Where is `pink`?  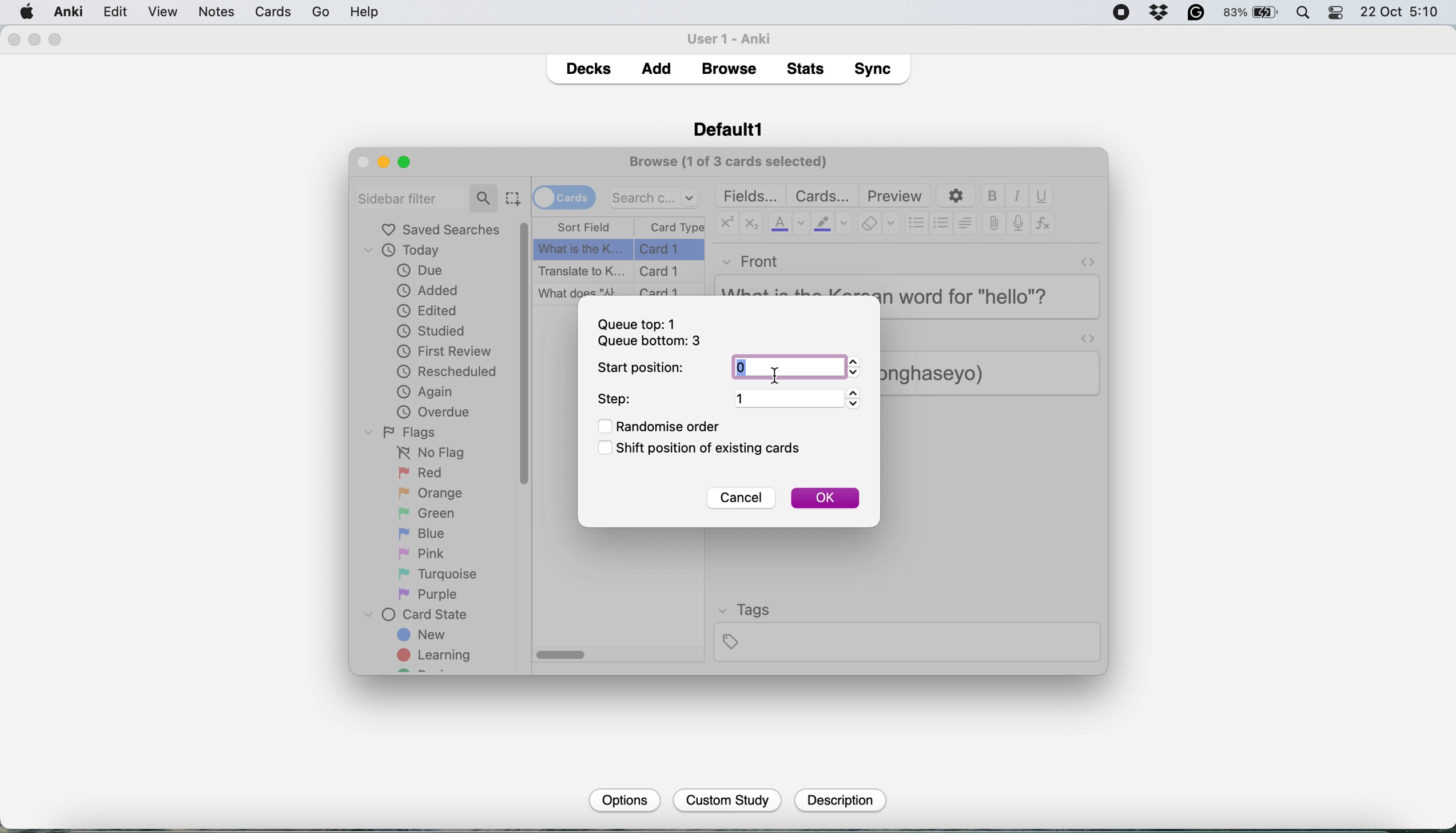 pink is located at coordinates (424, 552).